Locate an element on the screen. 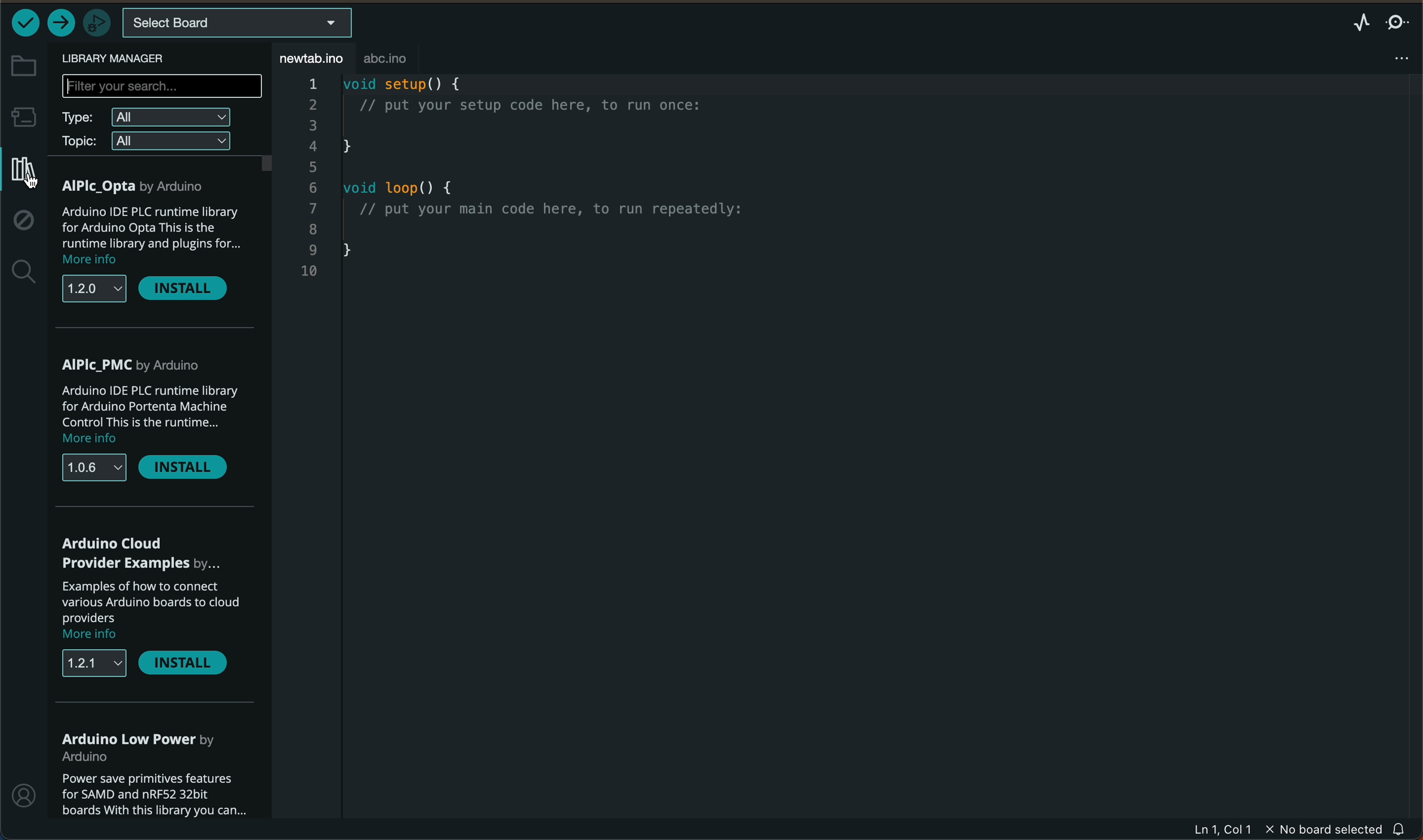 The height and width of the screenshot is (840, 1423). debug is located at coordinates (25, 222).